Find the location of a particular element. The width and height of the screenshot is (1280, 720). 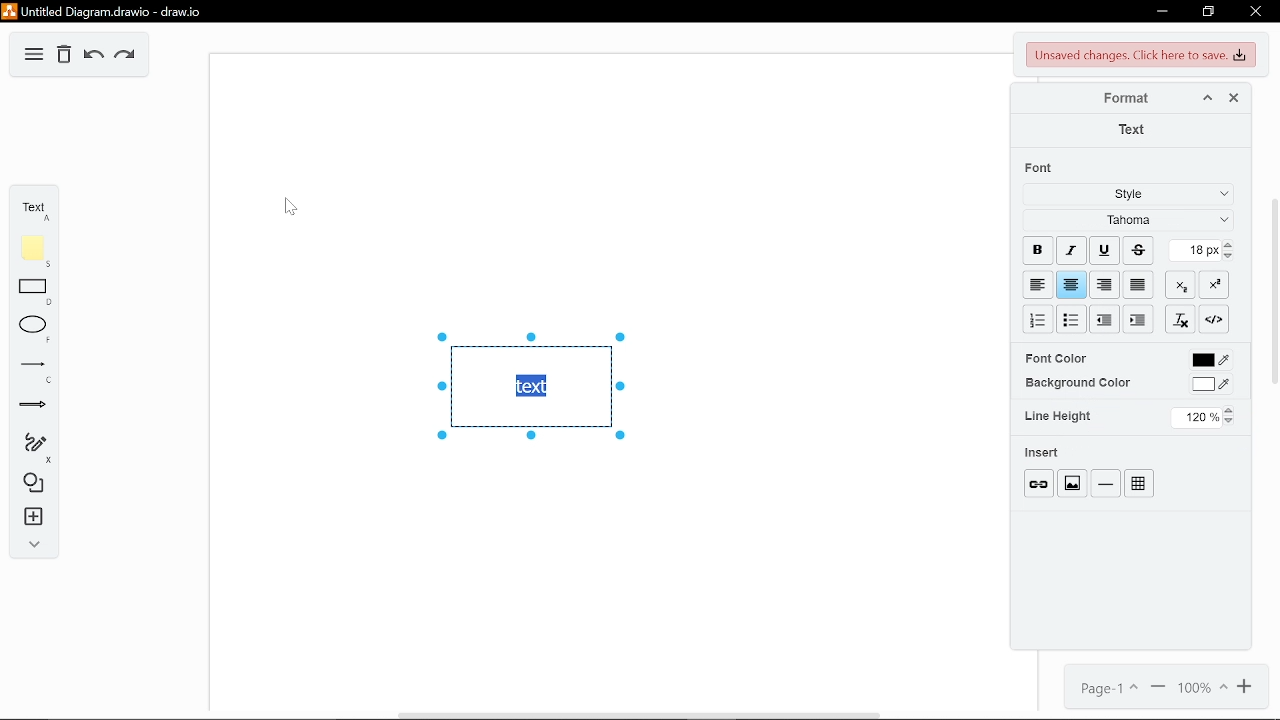

untitiled diagram.drawio - draw.io is located at coordinates (107, 11).